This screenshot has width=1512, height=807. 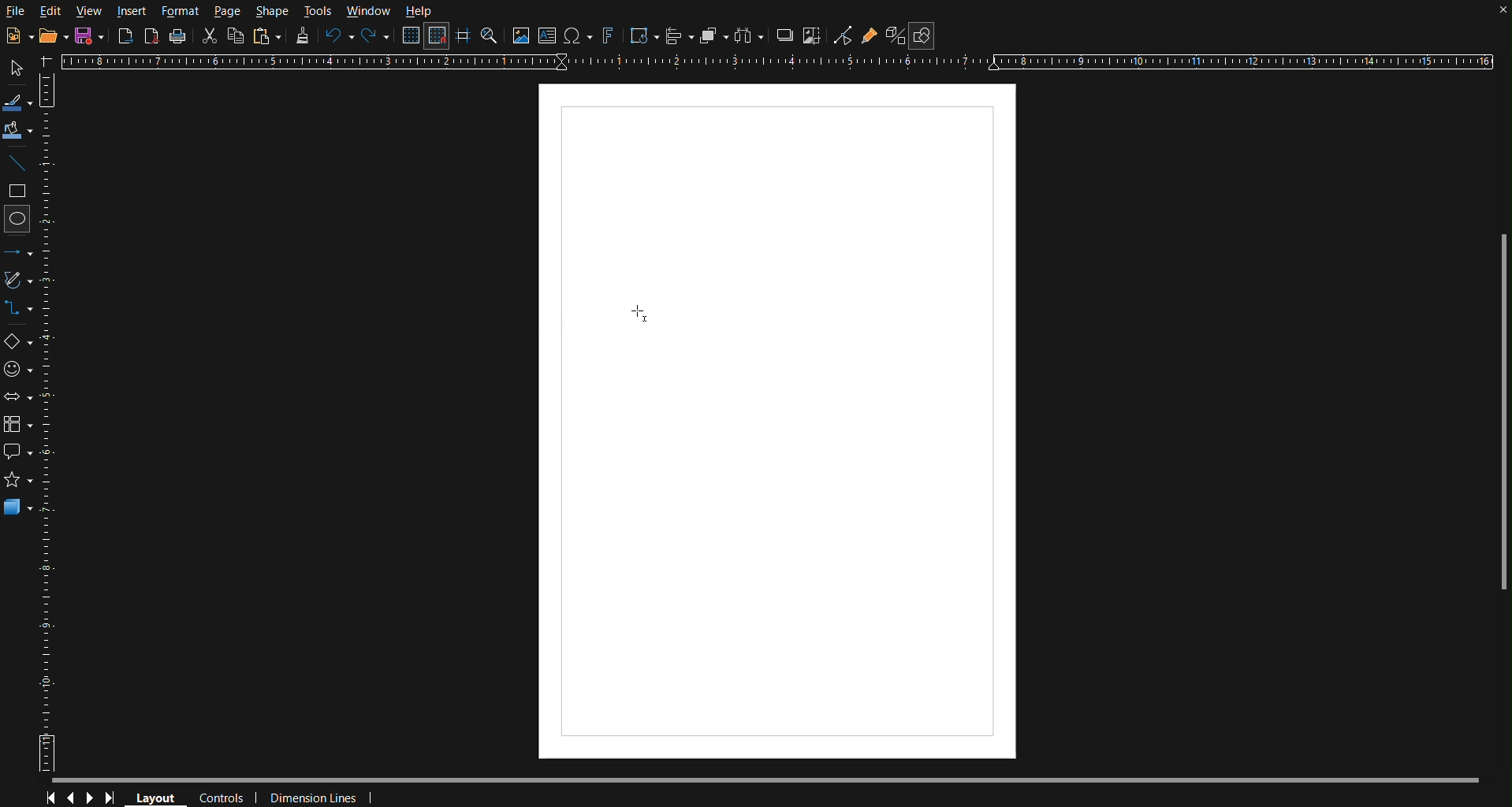 I want to click on Cursor, so click(x=639, y=314).